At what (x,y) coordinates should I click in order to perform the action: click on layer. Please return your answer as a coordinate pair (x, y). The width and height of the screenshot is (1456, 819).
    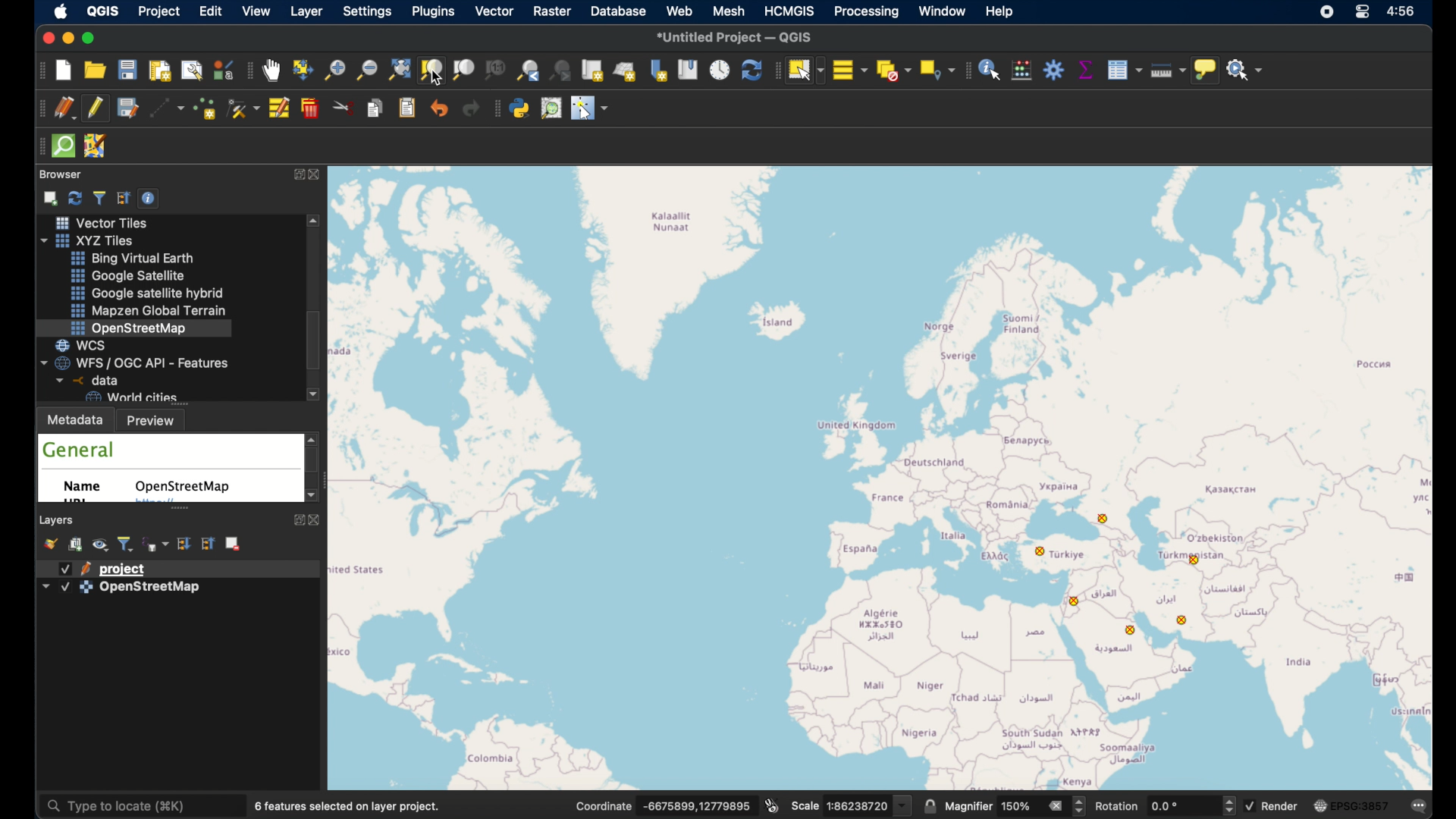
    Looking at the image, I should click on (306, 12).